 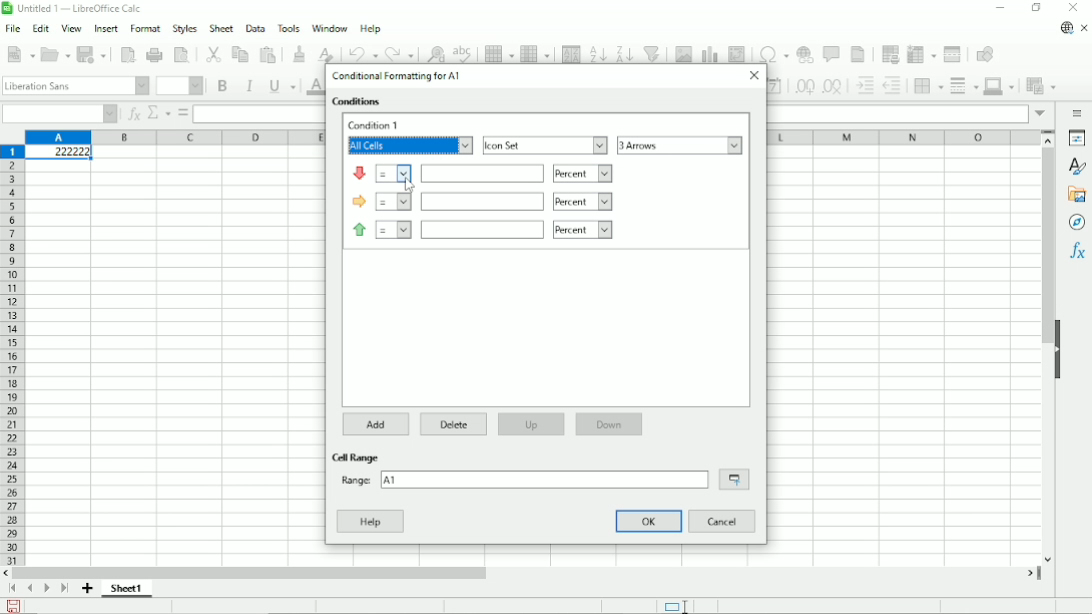 What do you see at coordinates (325, 53) in the screenshot?
I see `Clear direct formatting` at bounding box center [325, 53].